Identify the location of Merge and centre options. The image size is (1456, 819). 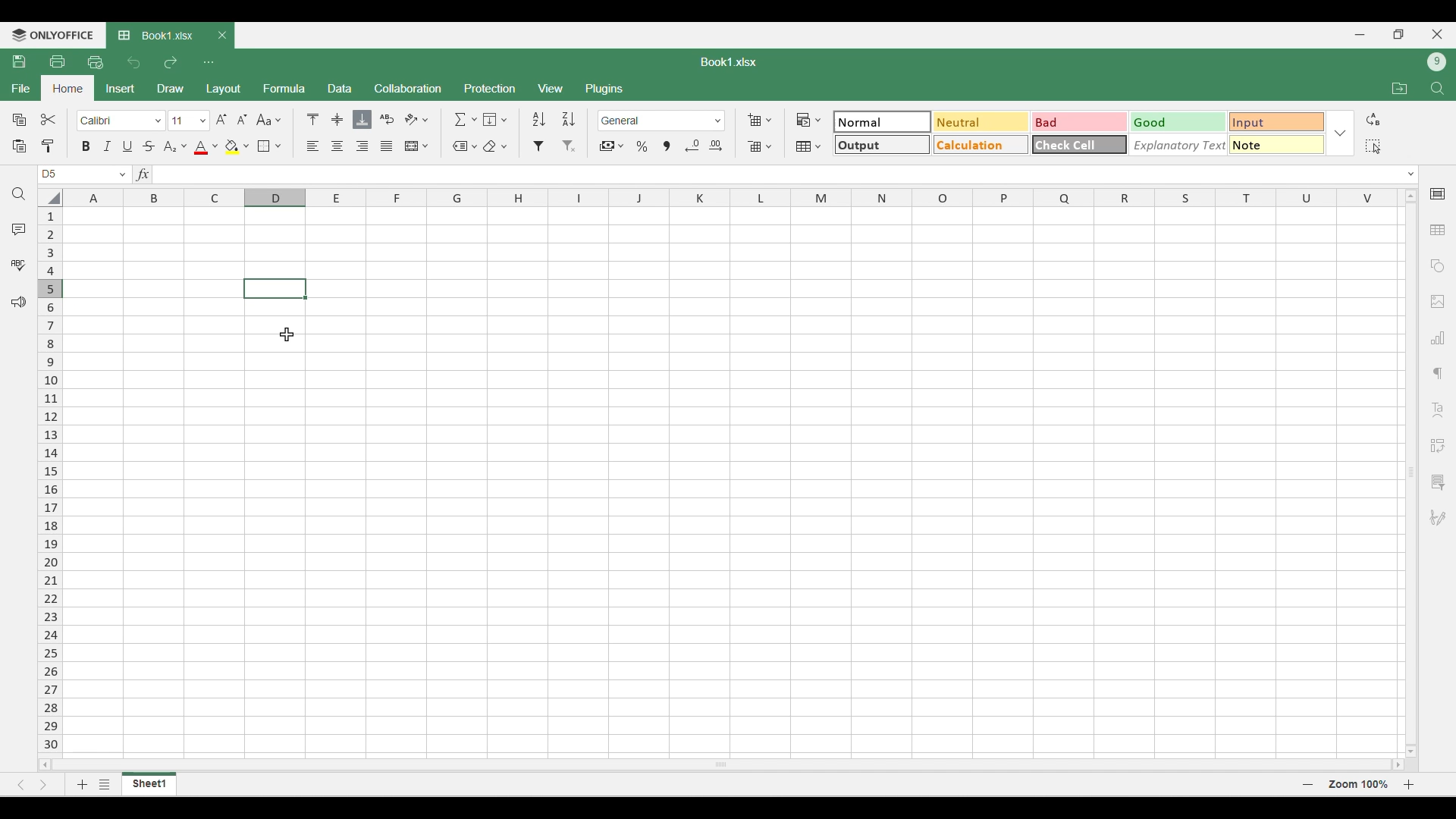
(417, 146).